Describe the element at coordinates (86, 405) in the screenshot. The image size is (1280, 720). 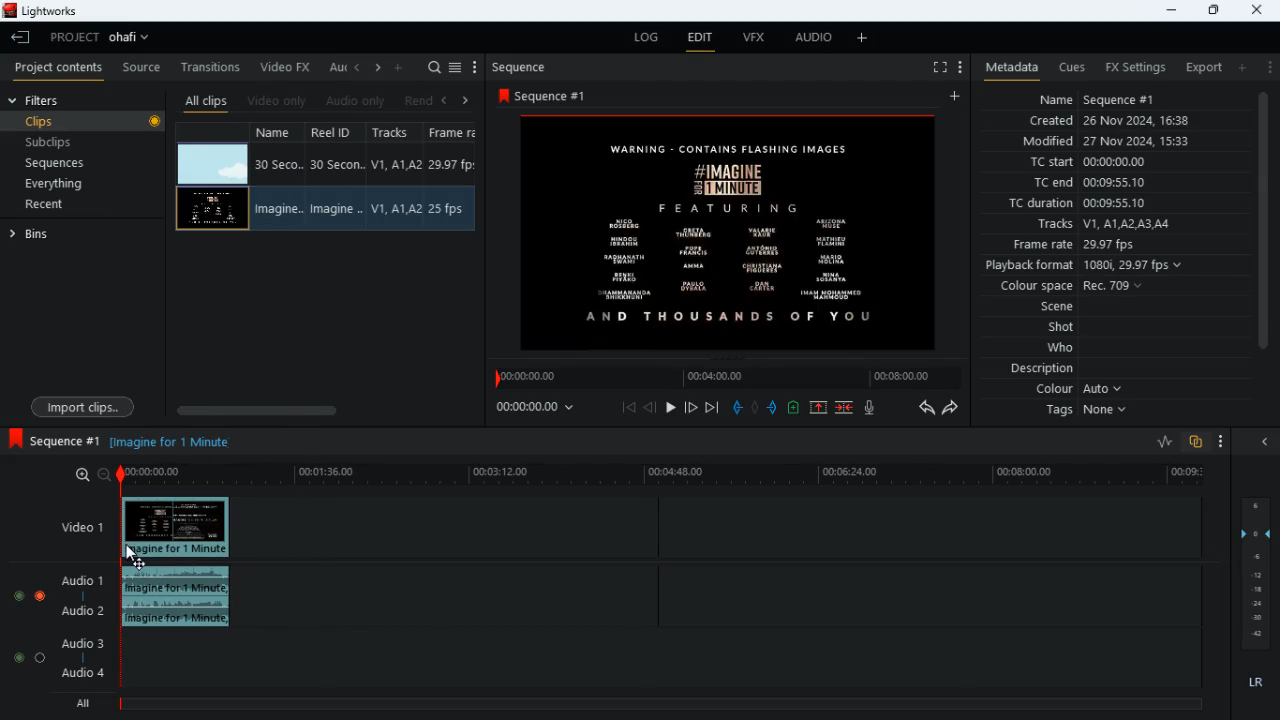
I see `import clips` at that location.